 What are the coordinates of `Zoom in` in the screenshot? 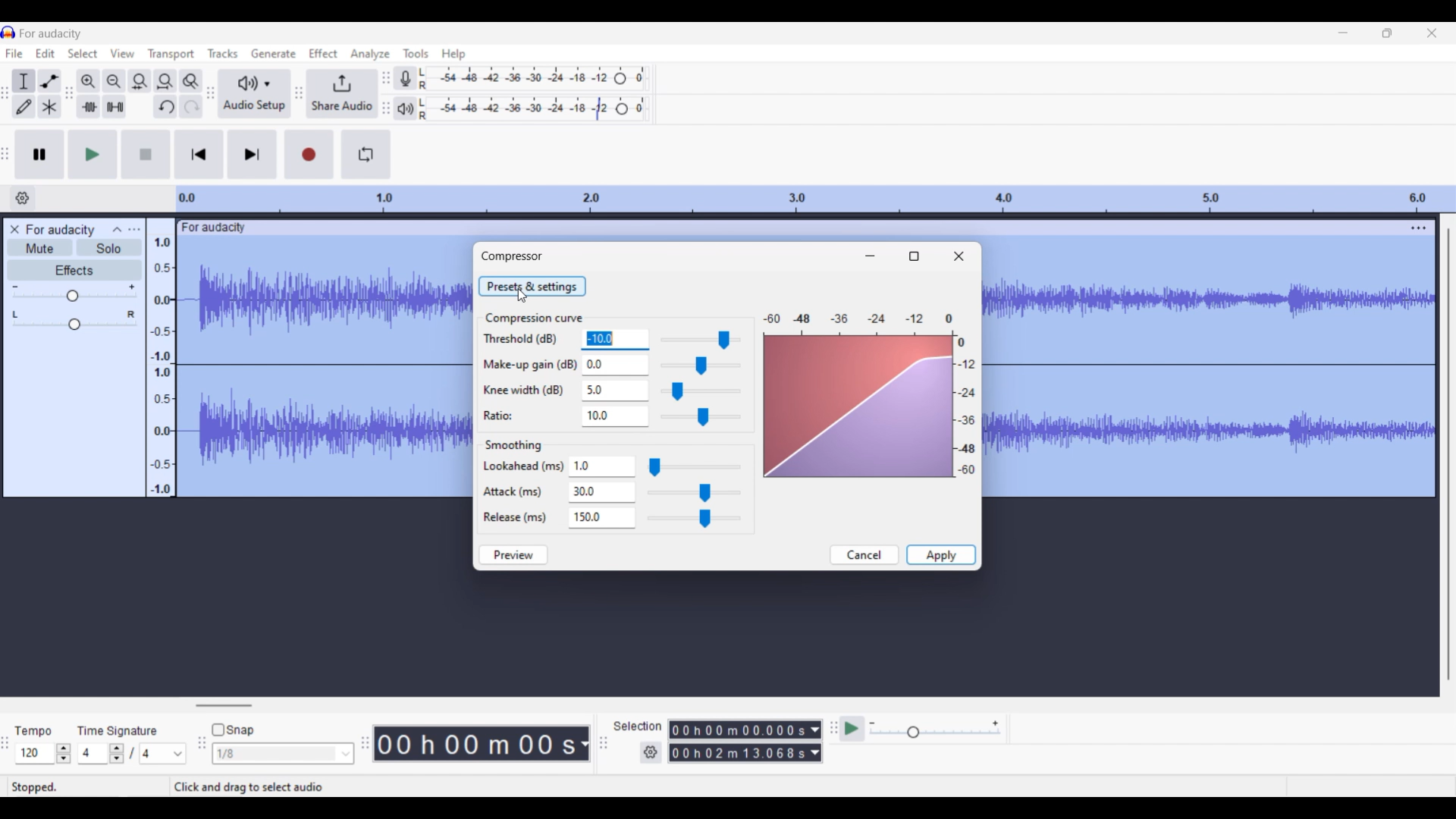 It's located at (89, 81).